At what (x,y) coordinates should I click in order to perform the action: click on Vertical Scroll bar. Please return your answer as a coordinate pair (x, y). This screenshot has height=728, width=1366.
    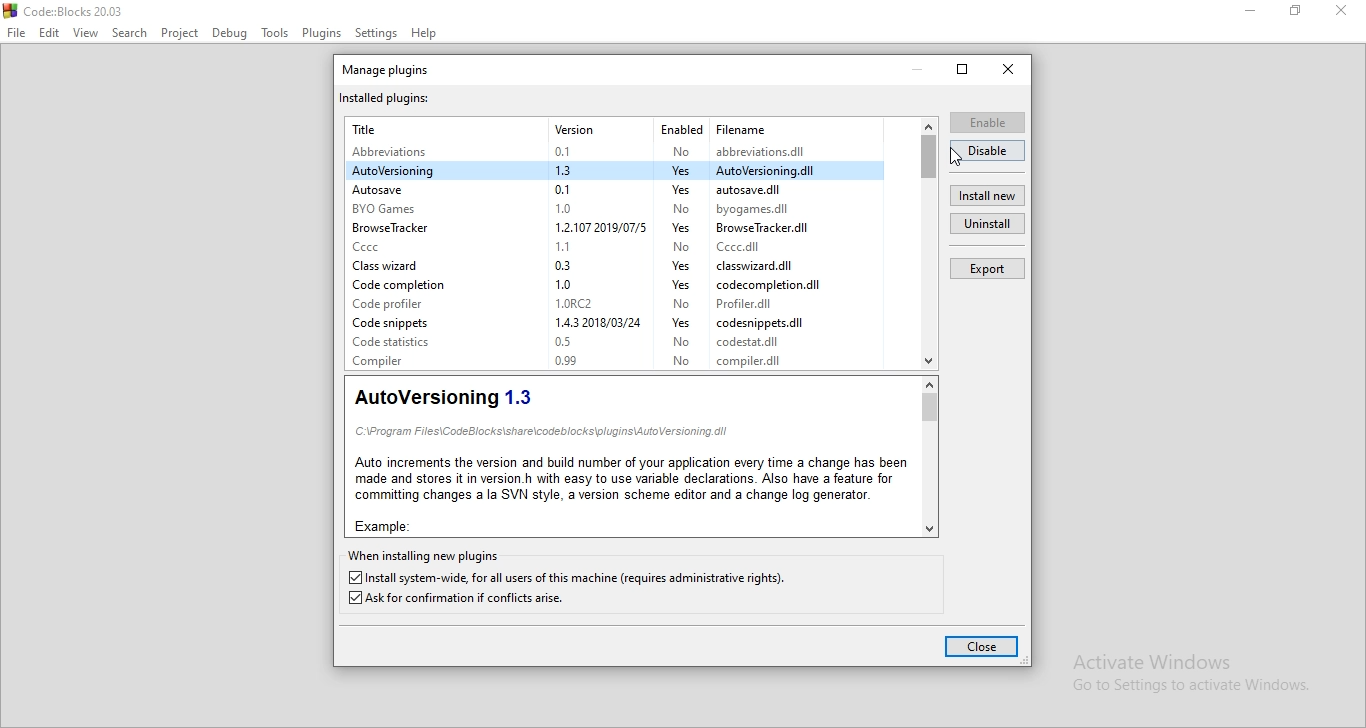
    Looking at the image, I should click on (929, 407).